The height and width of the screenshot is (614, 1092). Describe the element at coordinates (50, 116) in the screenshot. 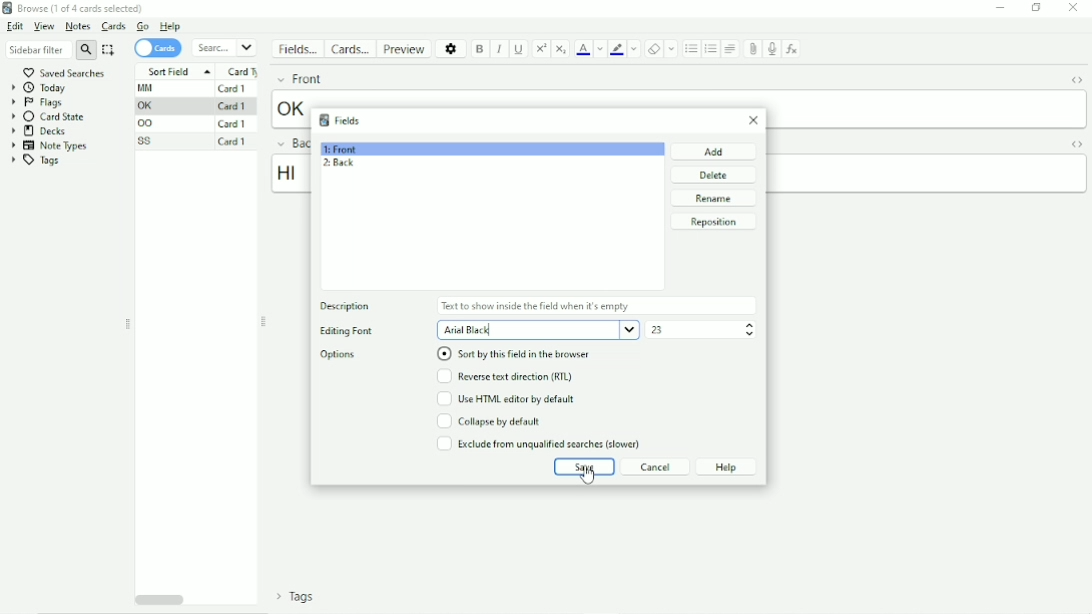

I see `Card state` at that location.